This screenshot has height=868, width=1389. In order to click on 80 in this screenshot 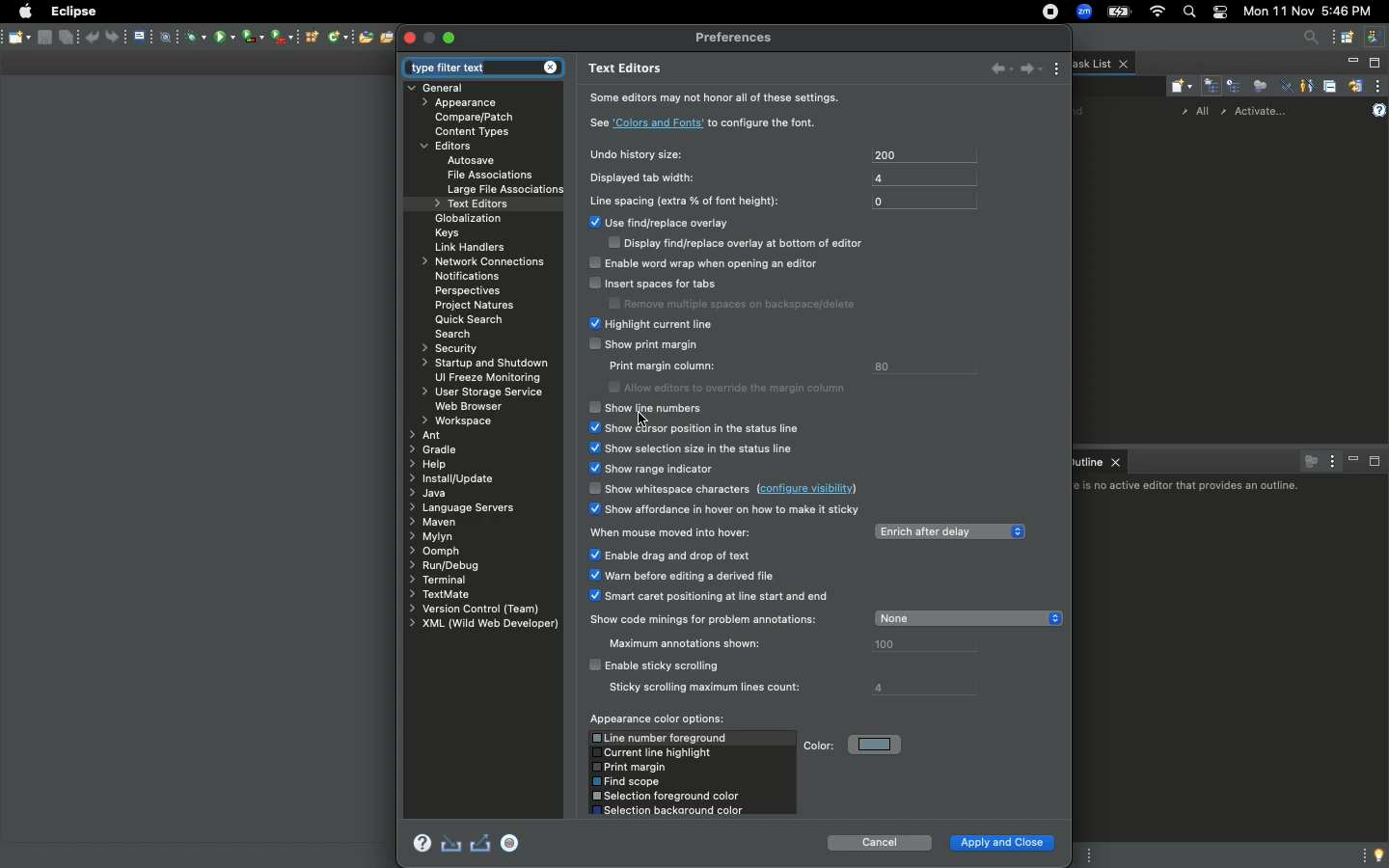, I will do `click(923, 366)`.